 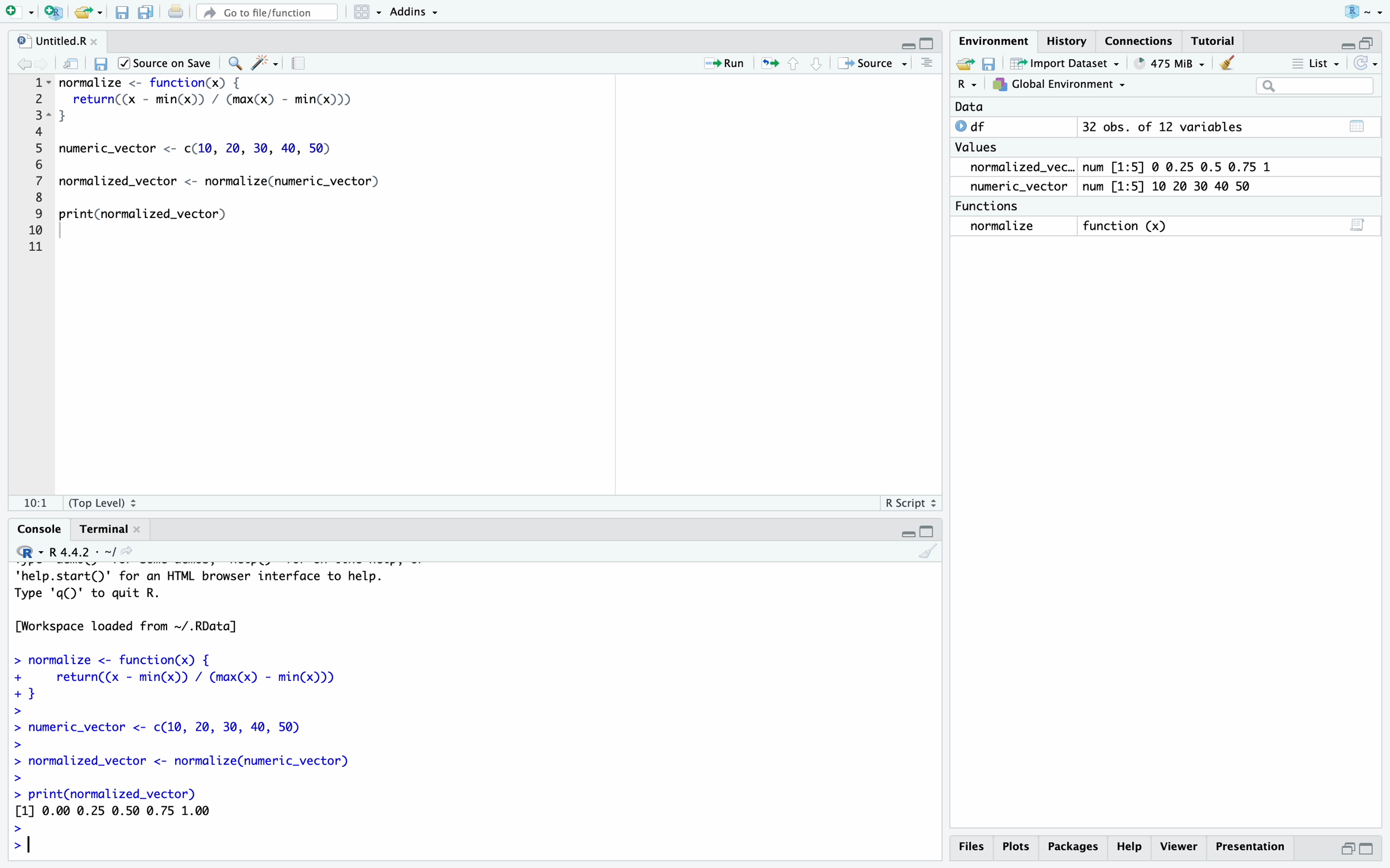 I want to click on Save workspace as, so click(x=990, y=62).